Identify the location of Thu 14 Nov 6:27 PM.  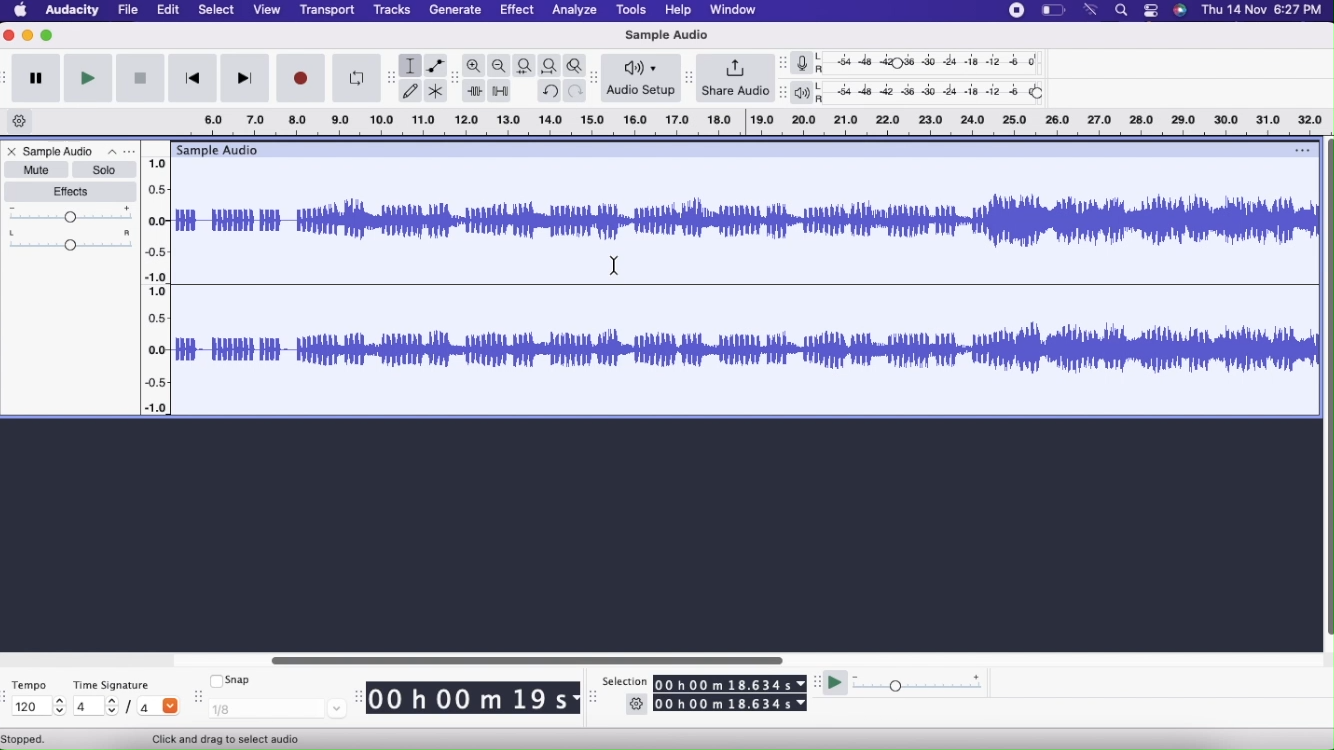
(1264, 12).